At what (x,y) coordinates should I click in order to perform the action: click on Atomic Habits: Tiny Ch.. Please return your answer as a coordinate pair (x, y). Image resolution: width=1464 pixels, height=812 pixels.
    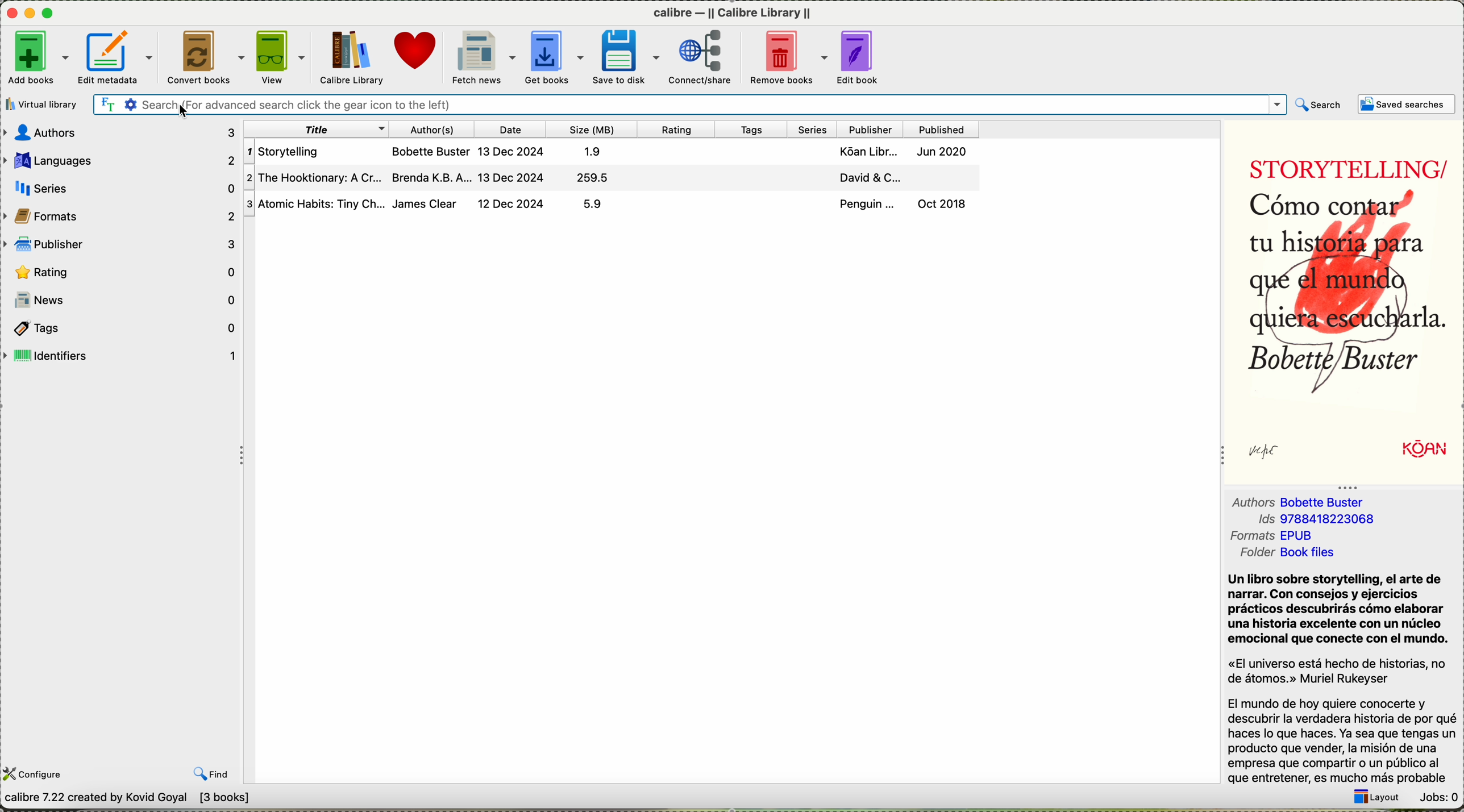
    Looking at the image, I should click on (315, 204).